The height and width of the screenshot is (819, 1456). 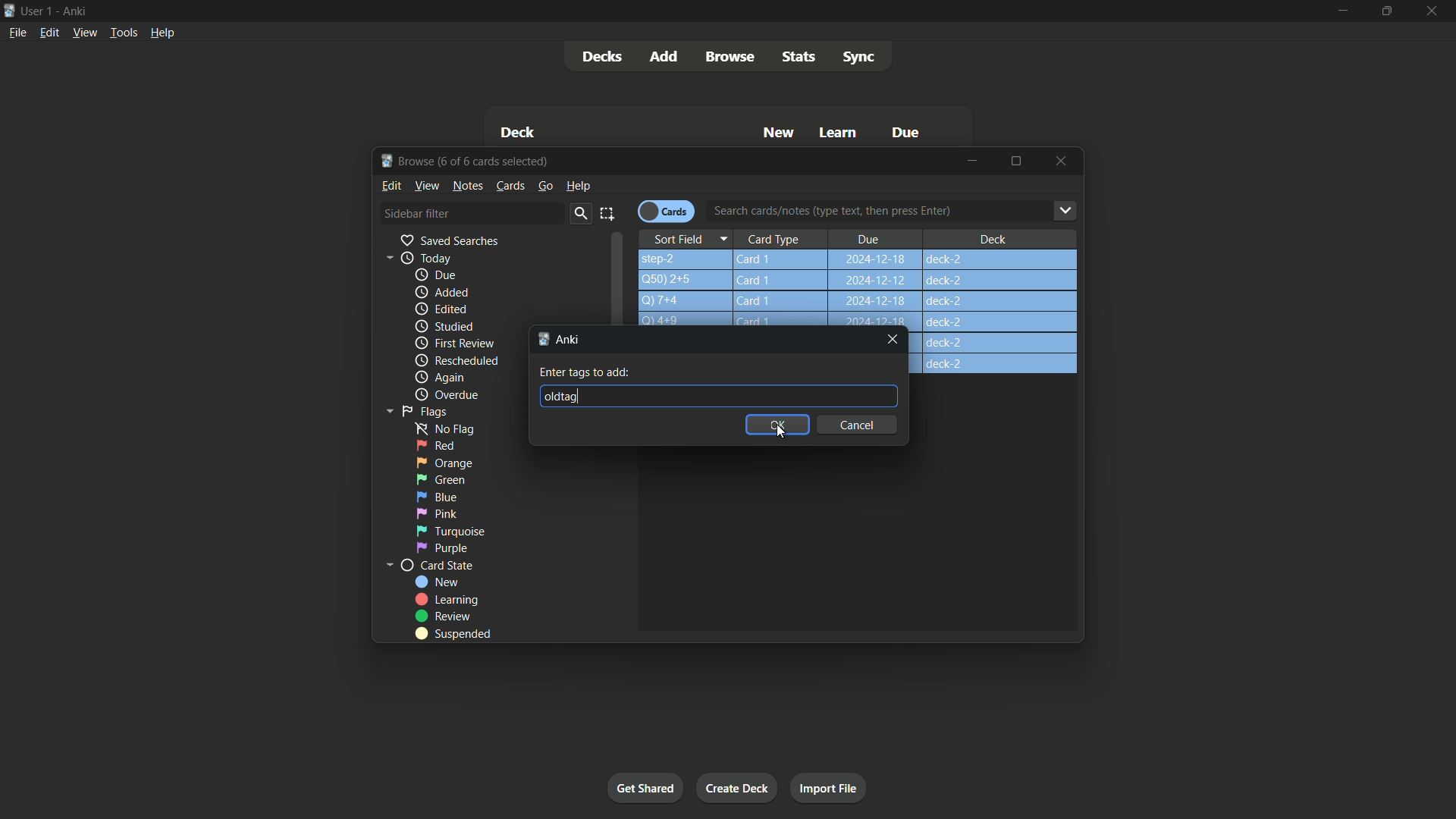 What do you see at coordinates (578, 185) in the screenshot?
I see `help` at bounding box center [578, 185].